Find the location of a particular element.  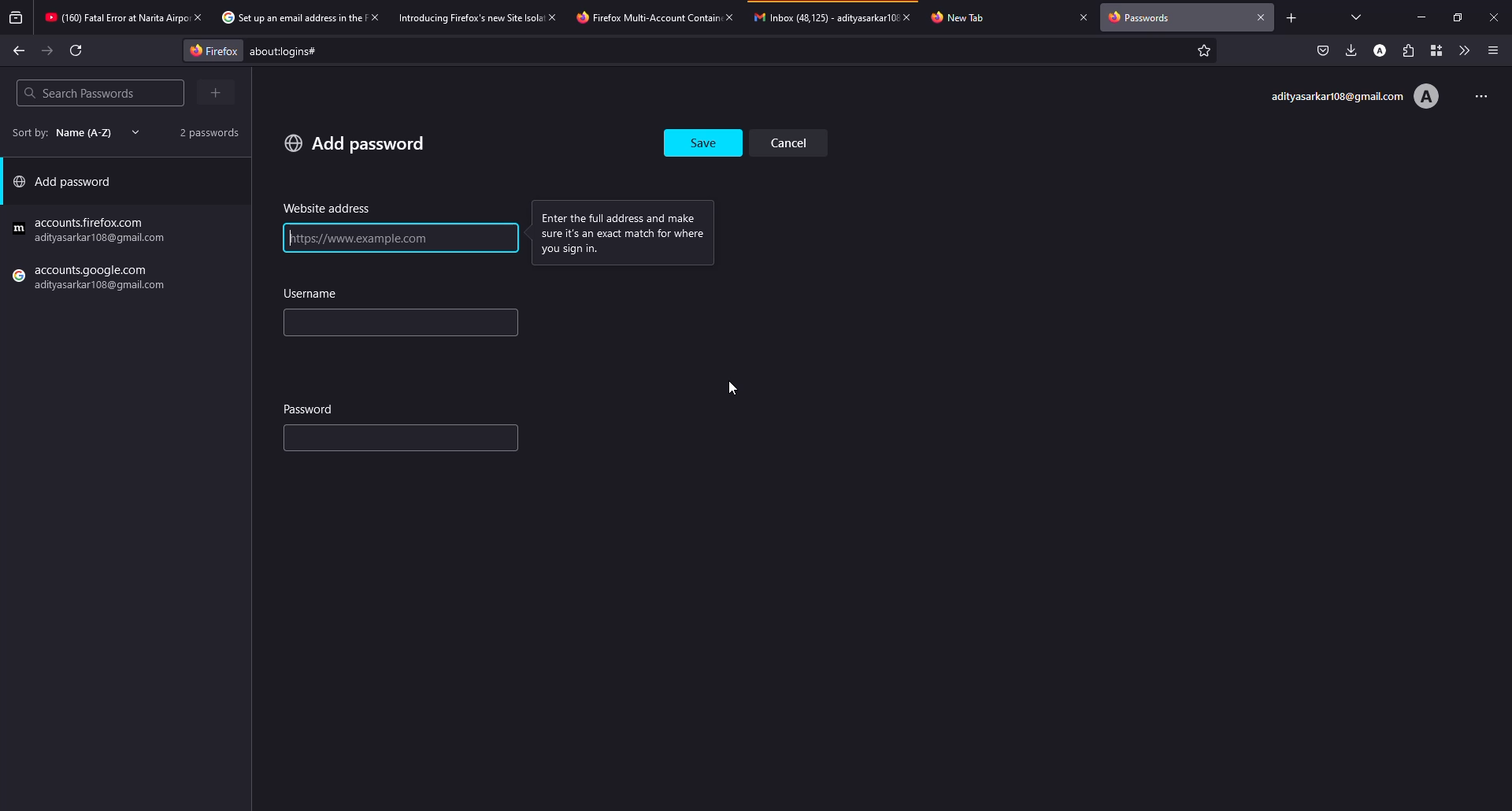

google is located at coordinates (92, 231).